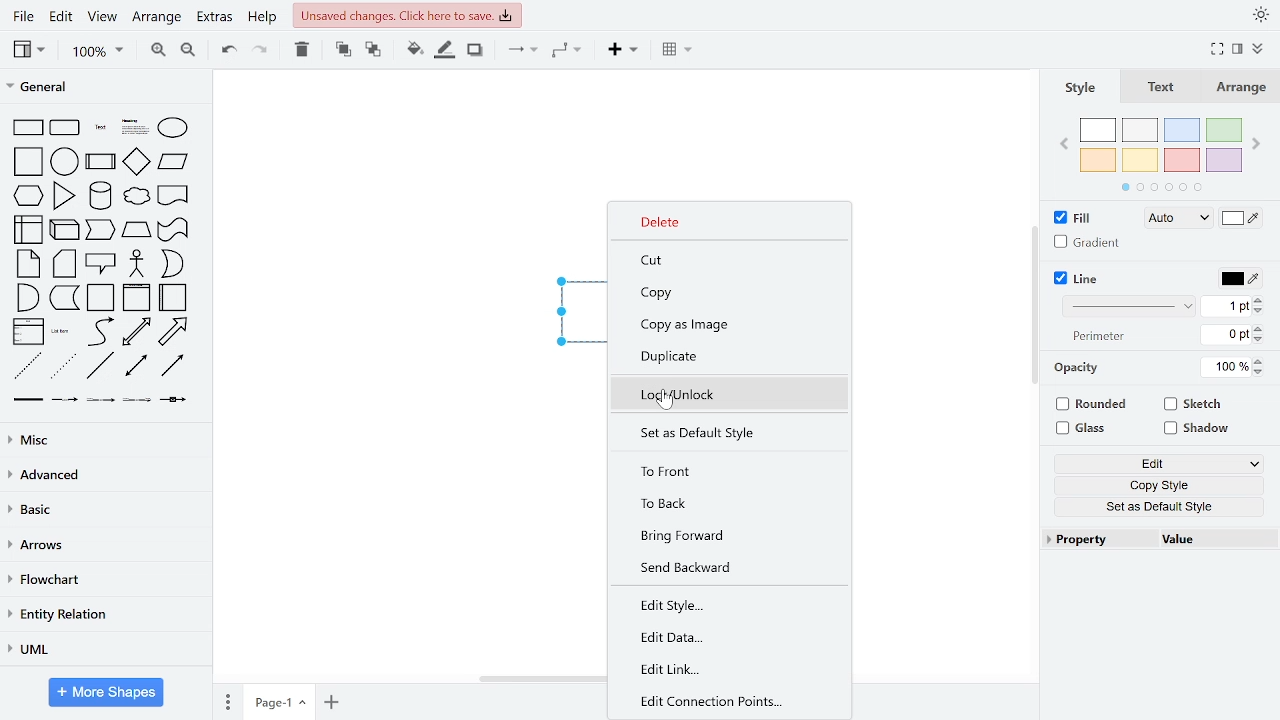  Describe the element at coordinates (1163, 88) in the screenshot. I see `text` at that location.